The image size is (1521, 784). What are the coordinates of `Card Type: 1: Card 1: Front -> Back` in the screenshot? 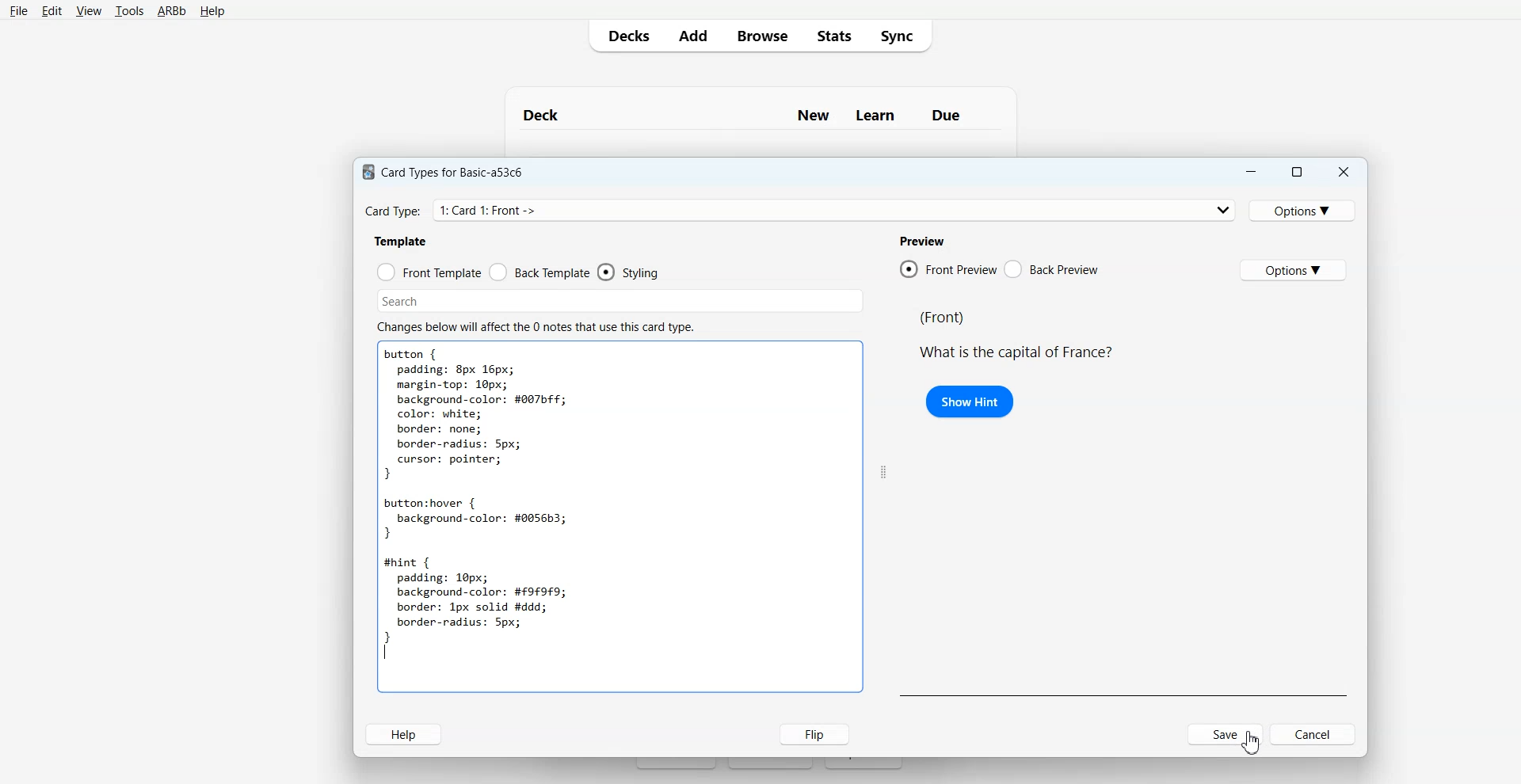 It's located at (509, 210).